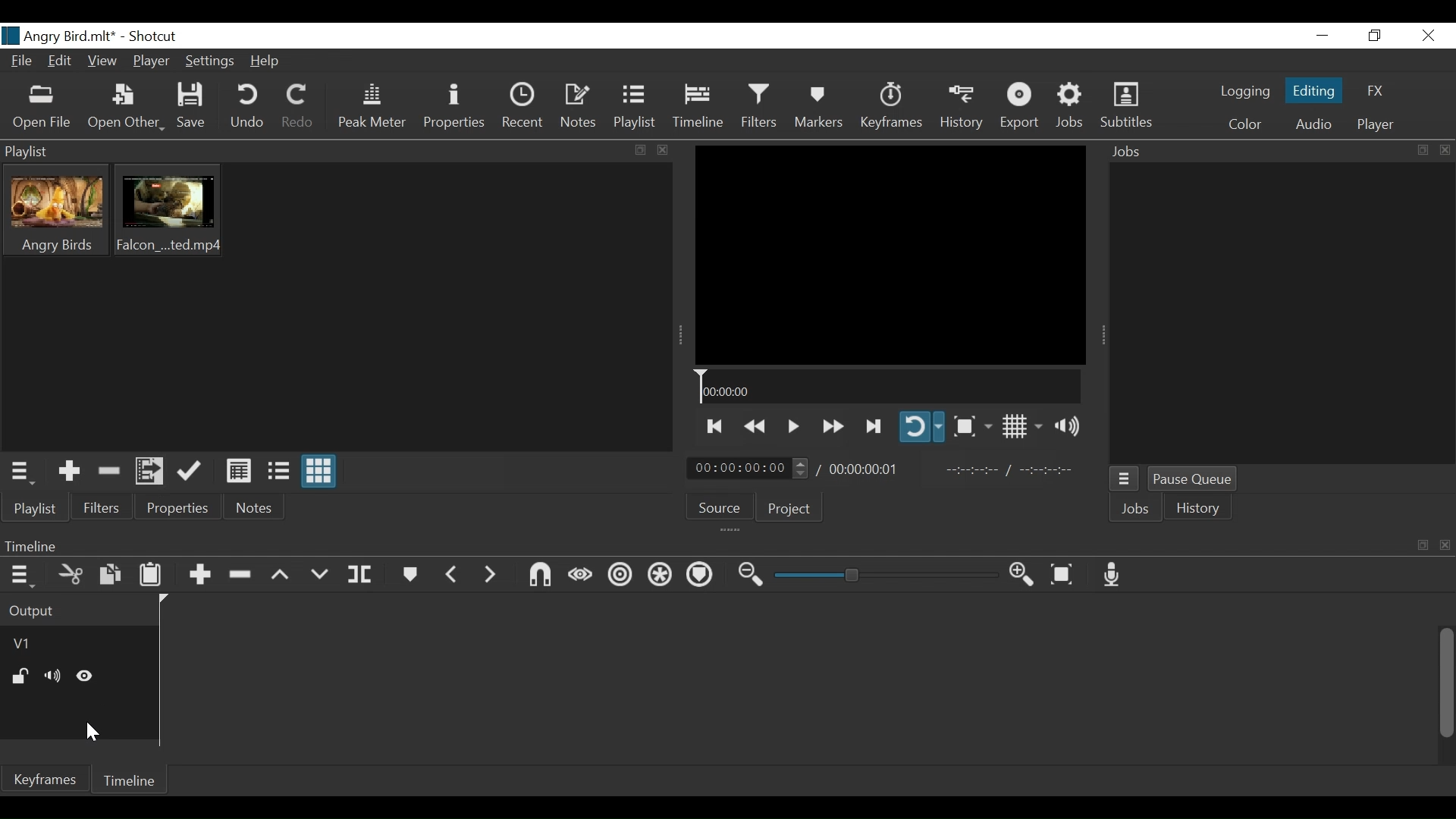 The width and height of the screenshot is (1456, 819). What do you see at coordinates (492, 576) in the screenshot?
I see `Next marker` at bounding box center [492, 576].